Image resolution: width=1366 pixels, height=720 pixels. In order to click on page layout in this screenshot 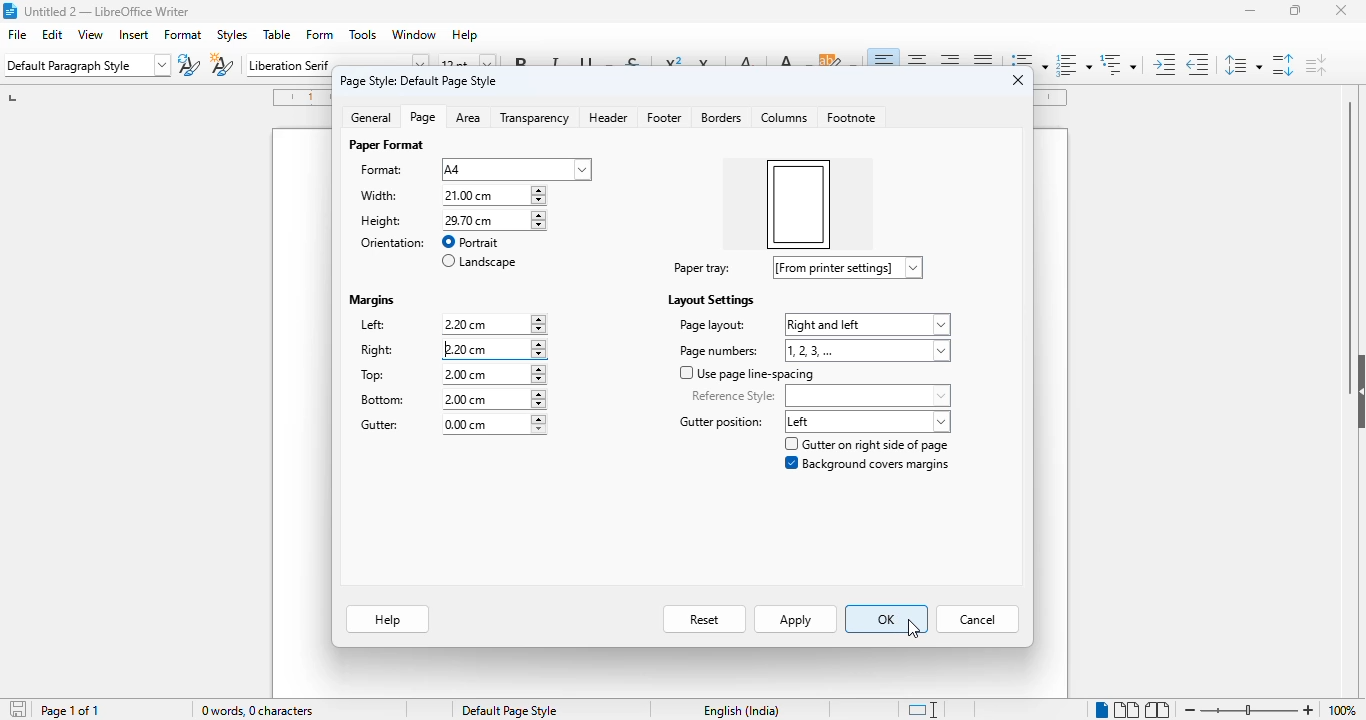, I will do `click(716, 325)`.